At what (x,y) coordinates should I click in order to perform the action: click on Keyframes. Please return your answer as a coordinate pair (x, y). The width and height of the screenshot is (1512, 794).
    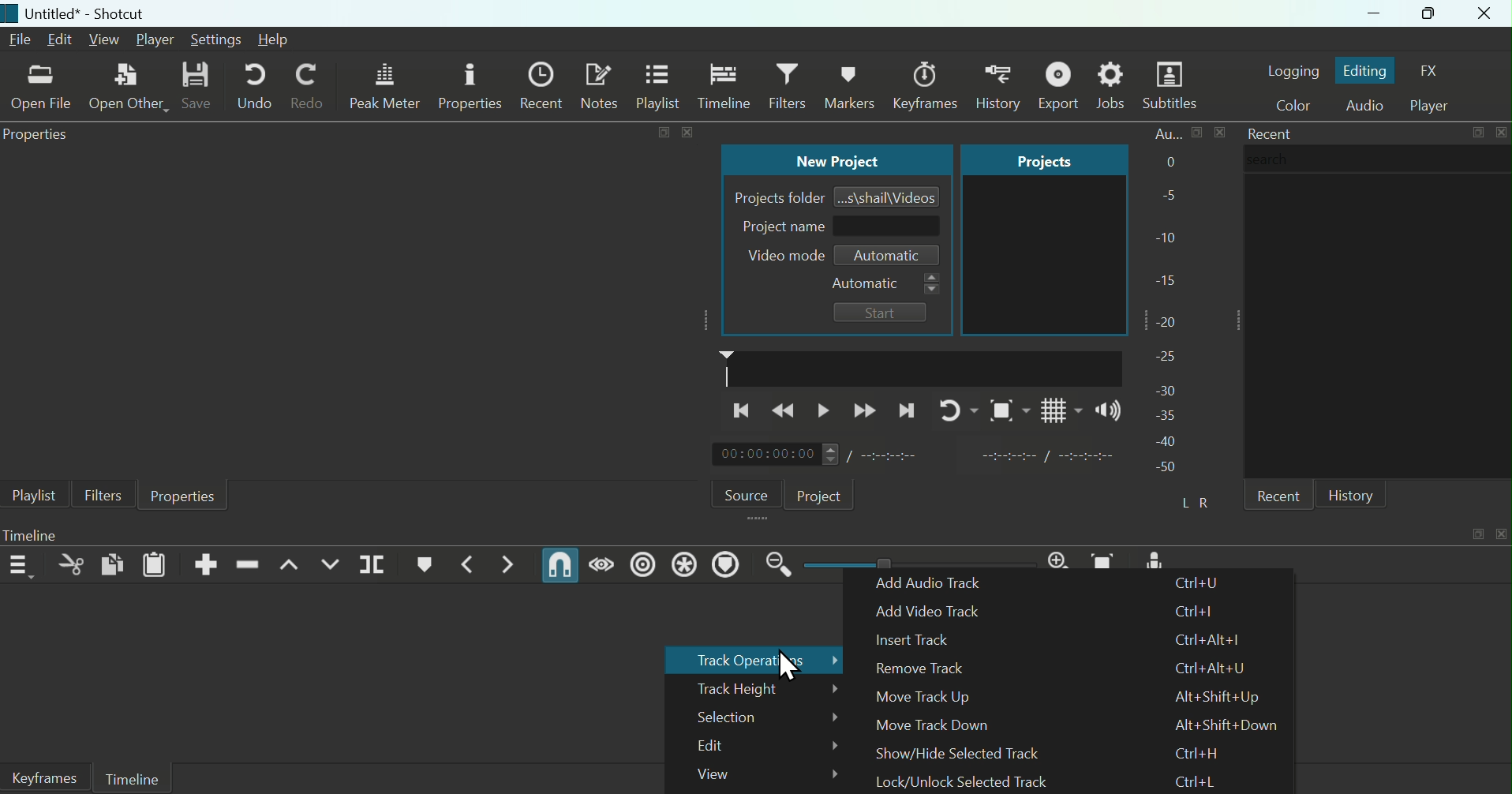
    Looking at the image, I should click on (997, 83).